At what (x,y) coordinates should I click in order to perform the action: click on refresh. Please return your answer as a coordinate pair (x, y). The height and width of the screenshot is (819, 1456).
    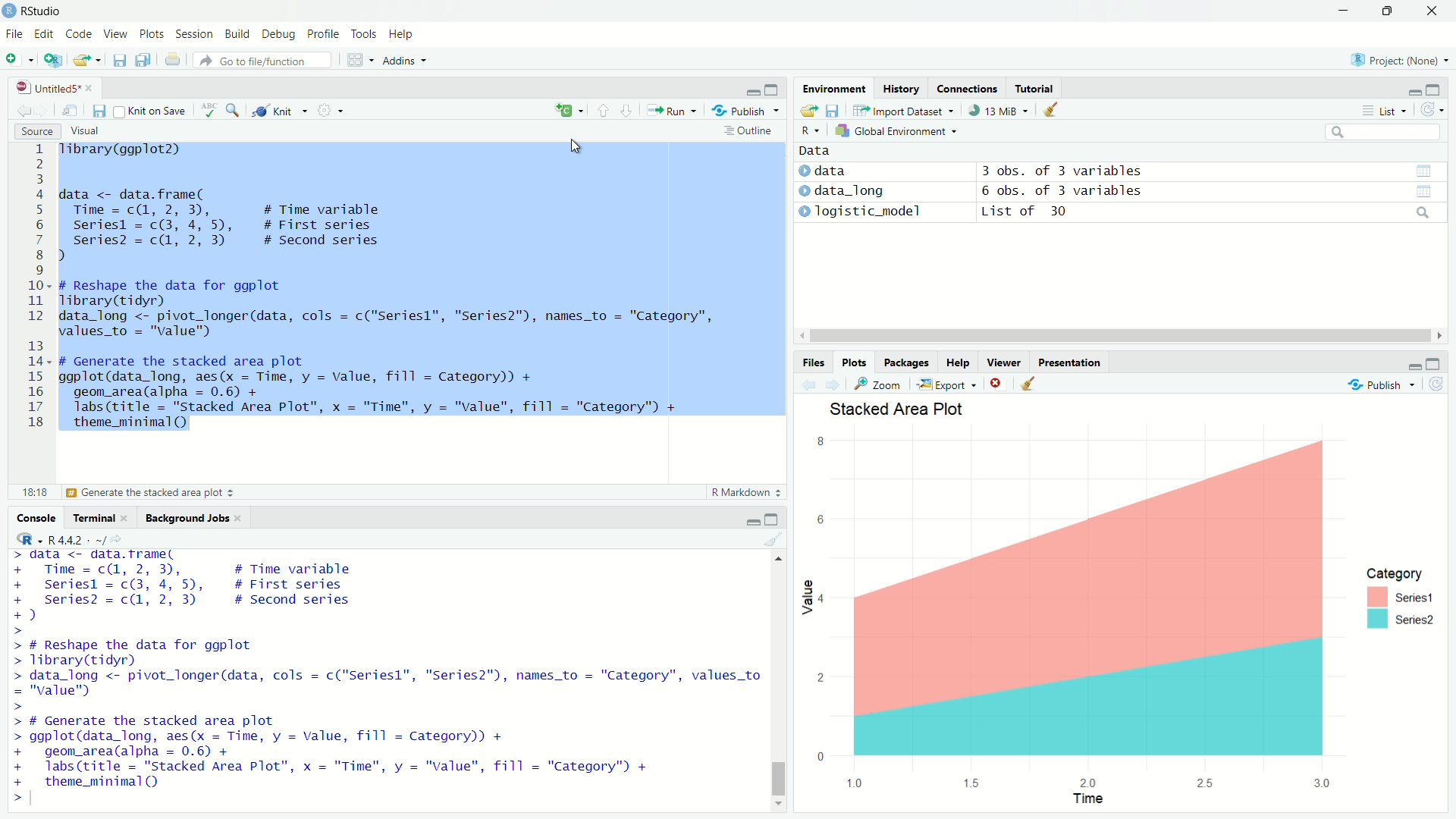
    Looking at the image, I should click on (1432, 385).